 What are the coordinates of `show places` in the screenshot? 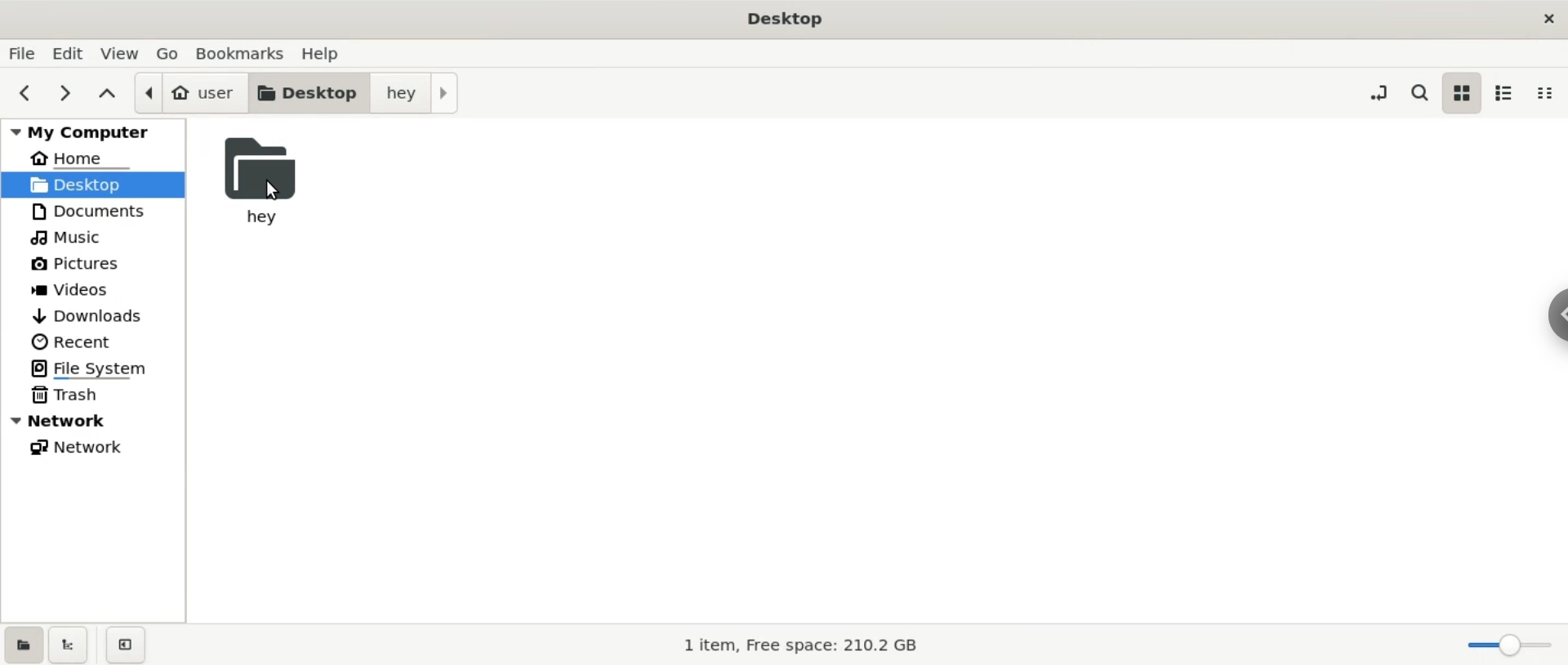 It's located at (23, 644).